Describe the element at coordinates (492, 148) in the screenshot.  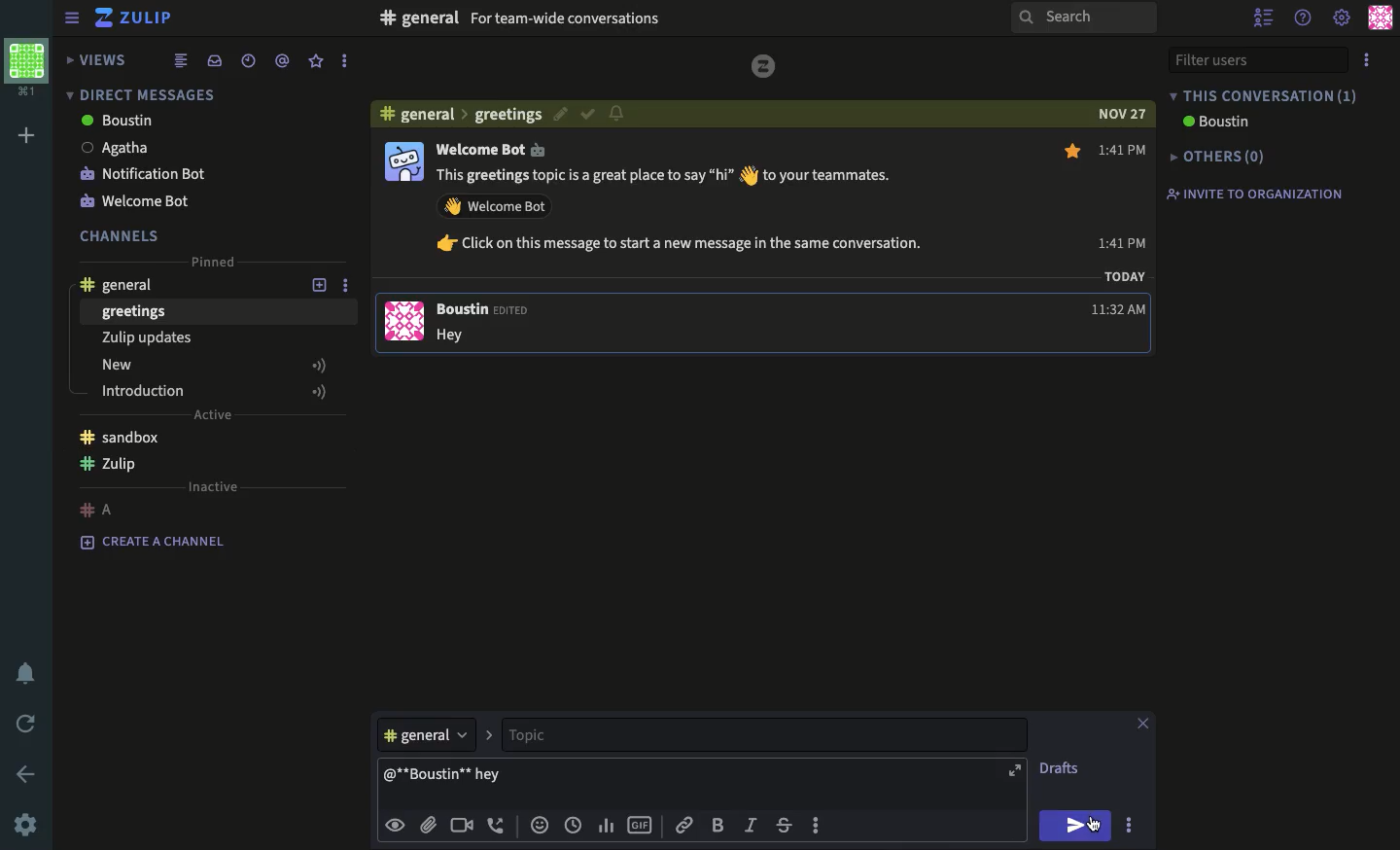
I see `Welcome Bot` at that location.